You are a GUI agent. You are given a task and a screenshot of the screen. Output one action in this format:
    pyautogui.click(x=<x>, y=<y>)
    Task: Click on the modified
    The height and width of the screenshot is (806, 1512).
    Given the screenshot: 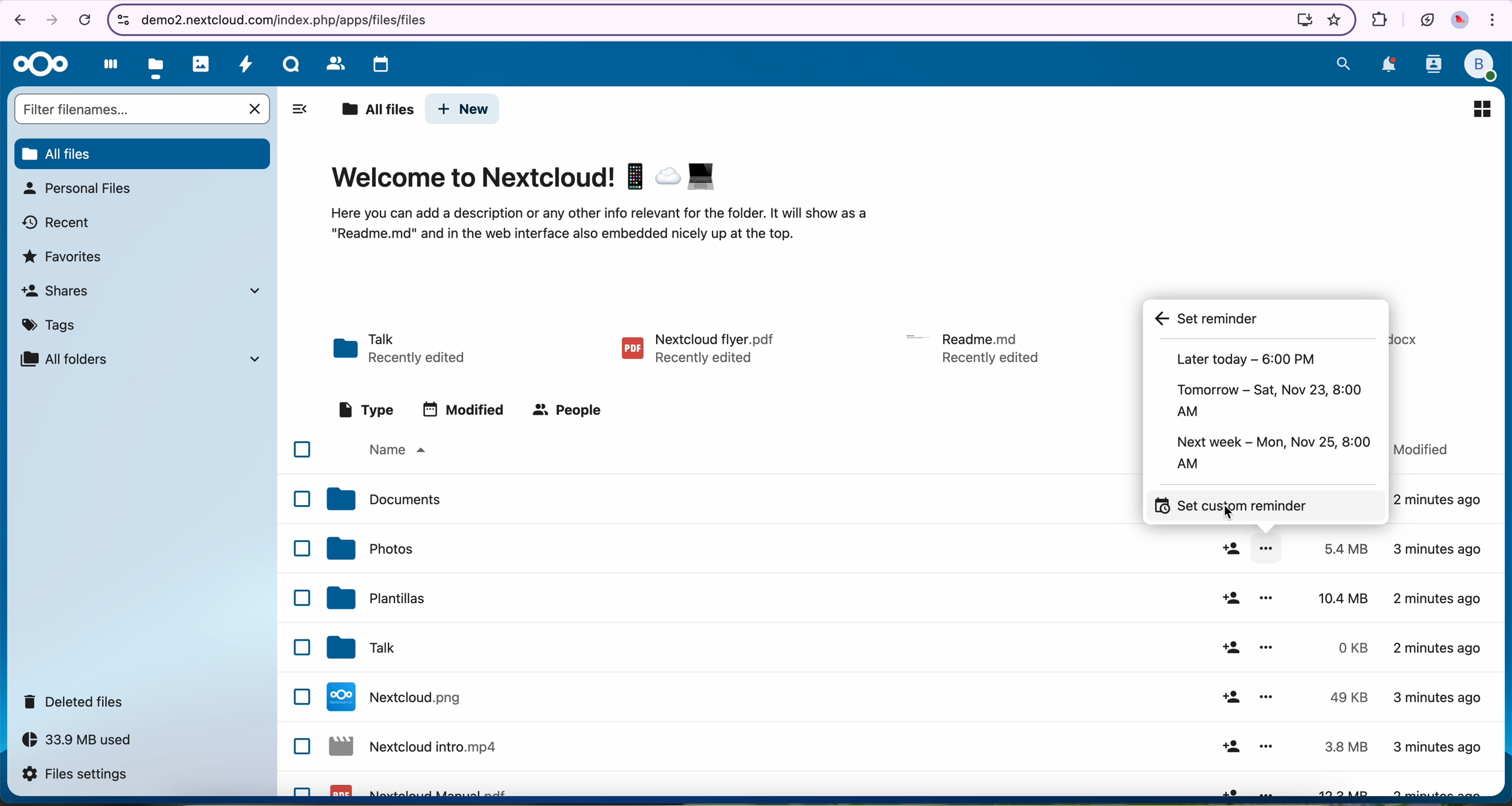 What is the action you would take?
    pyautogui.click(x=1422, y=449)
    